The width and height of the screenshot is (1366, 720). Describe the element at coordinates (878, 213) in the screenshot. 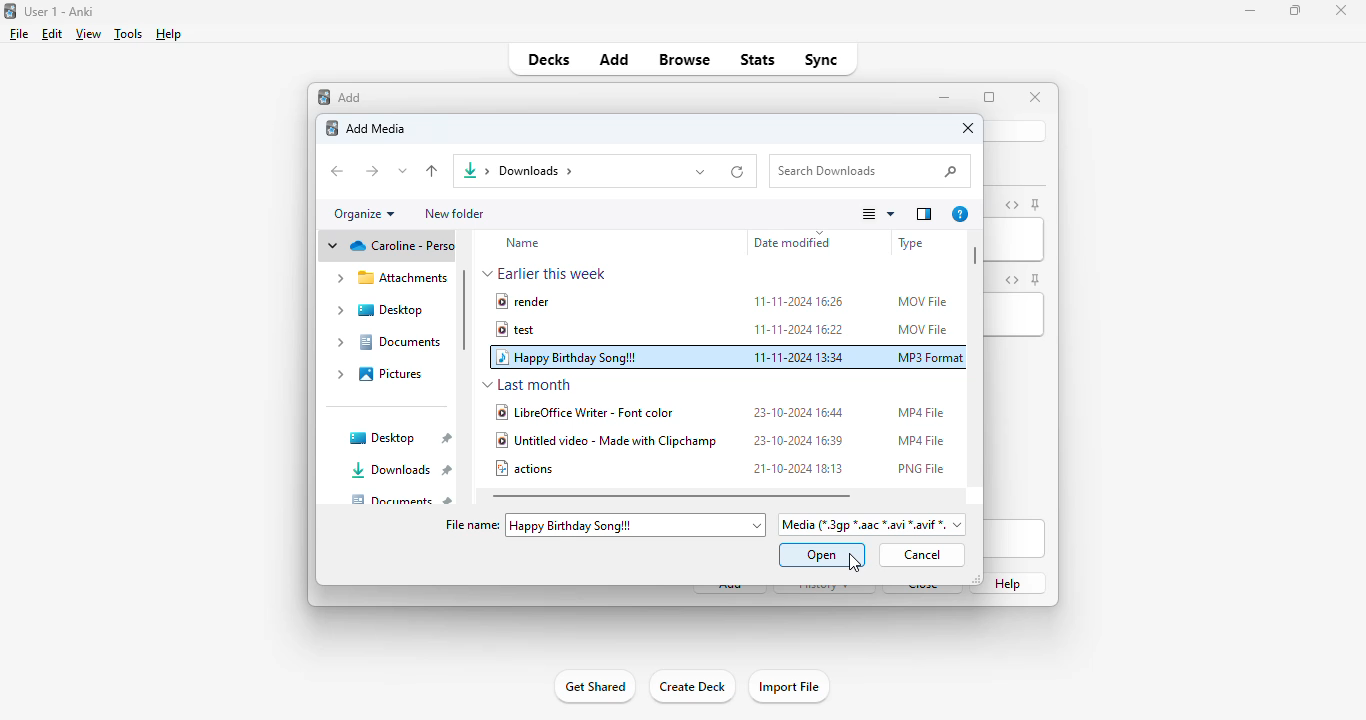

I see `change your view` at that location.